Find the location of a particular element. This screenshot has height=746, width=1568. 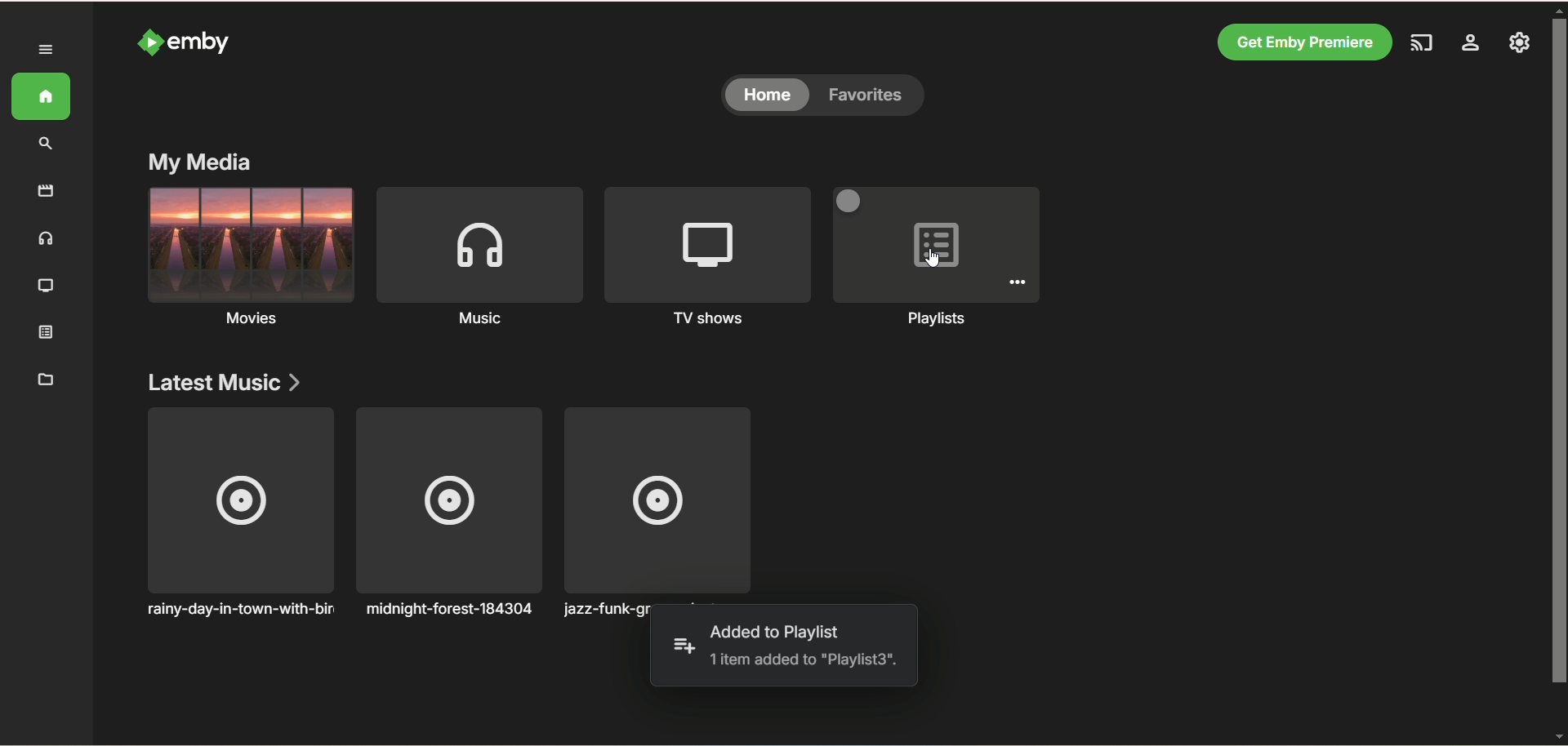

Cursor is located at coordinates (933, 258).